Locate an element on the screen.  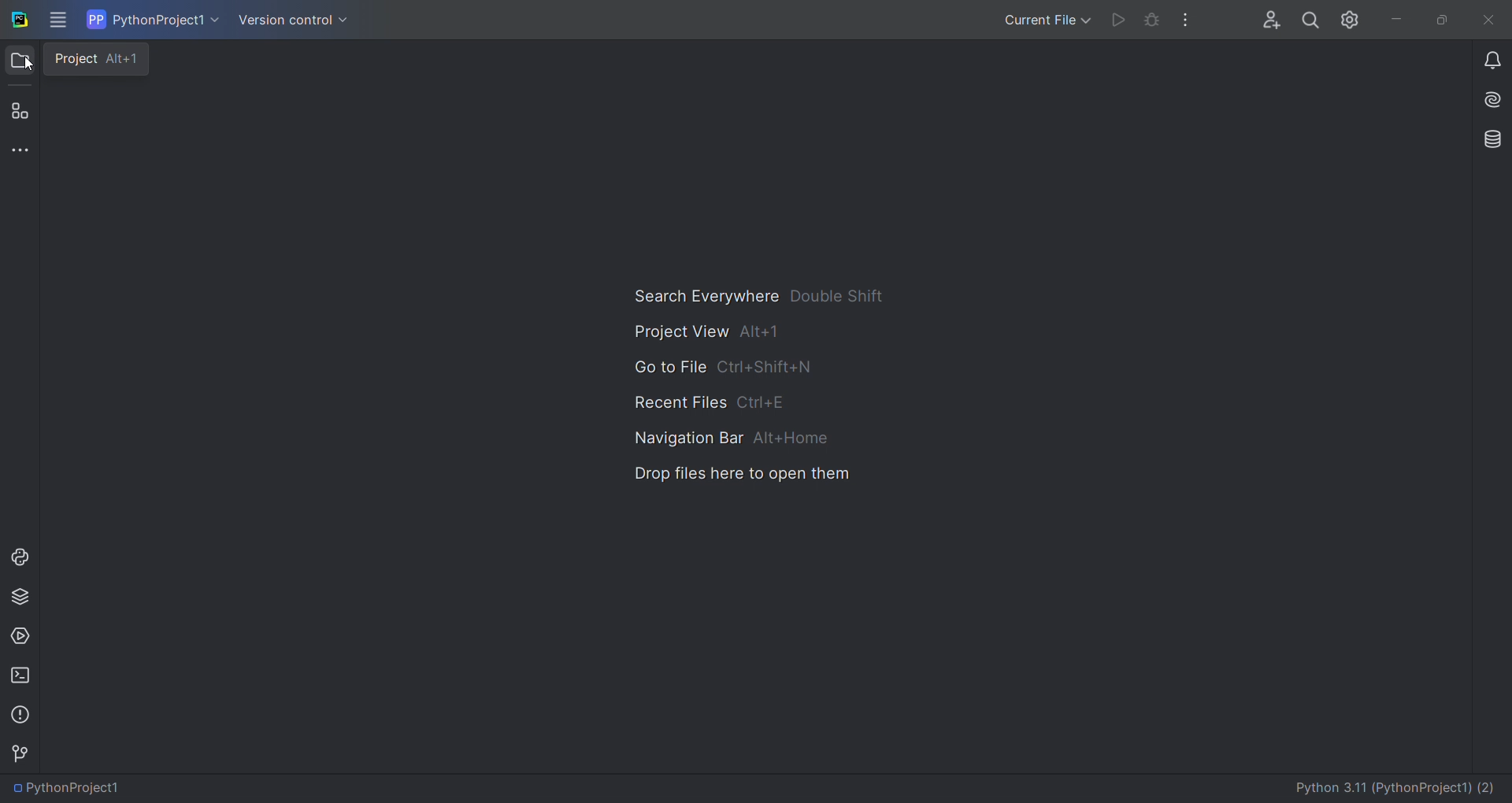
run/debug options is located at coordinates (1038, 20).